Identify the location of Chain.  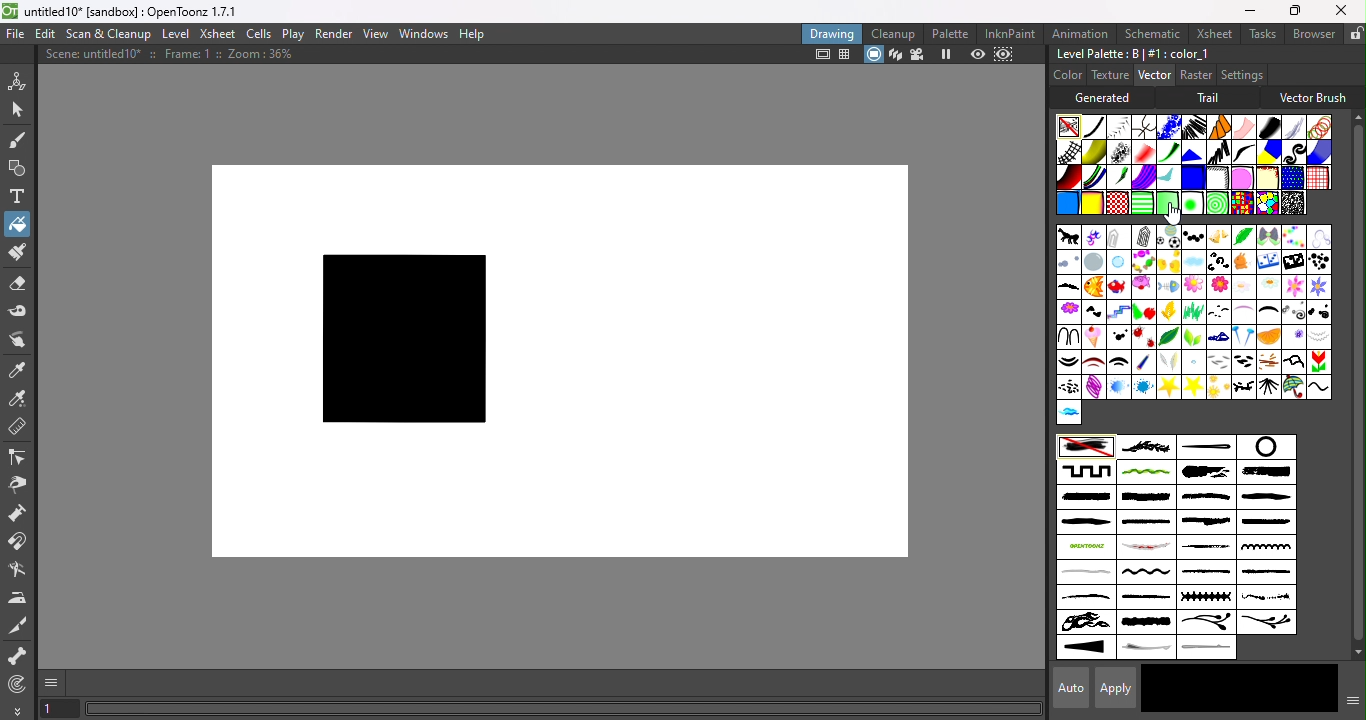
(1145, 126).